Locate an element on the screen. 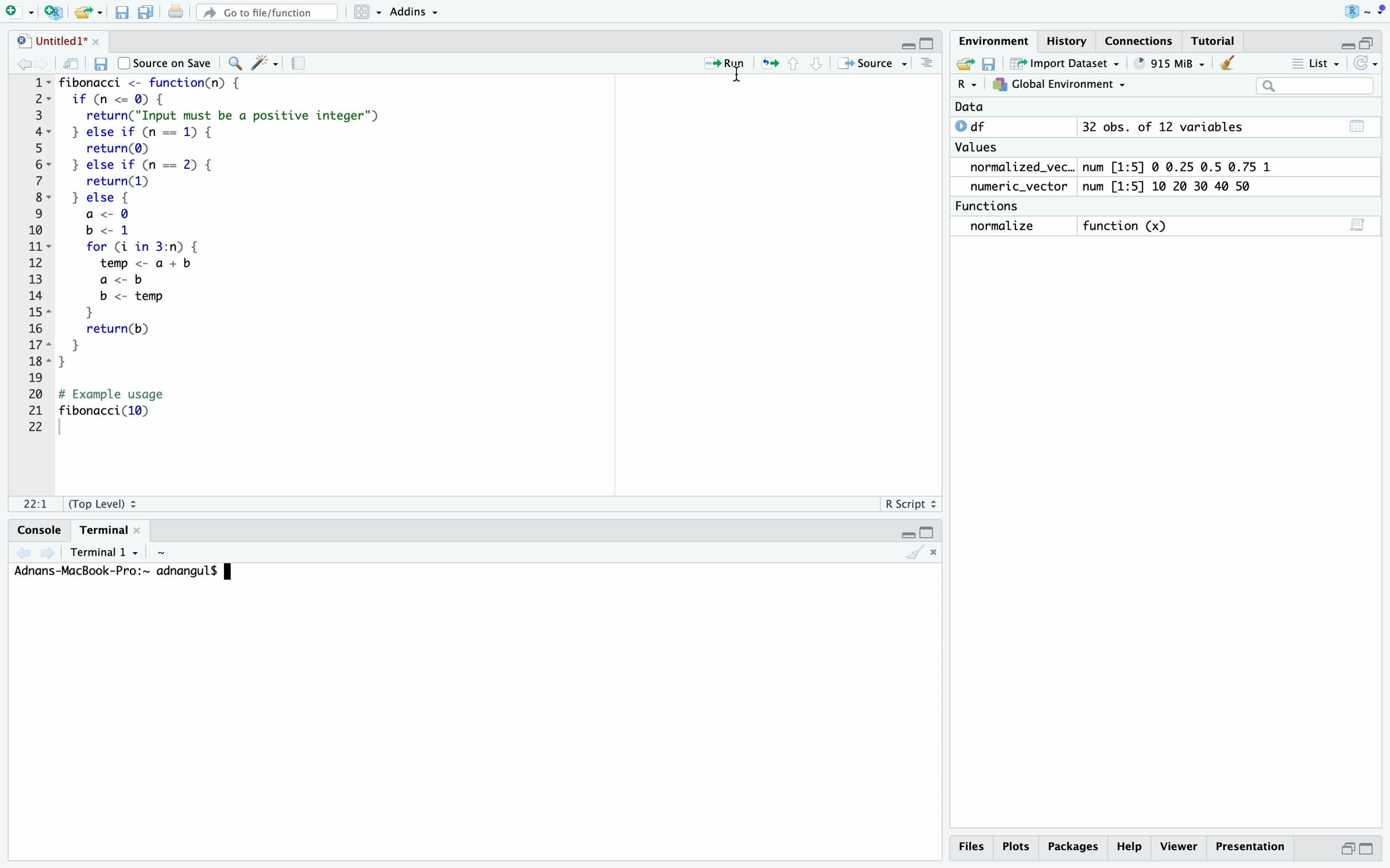 This screenshot has width=1390, height=868. cursor is located at coordinates (736, 72).